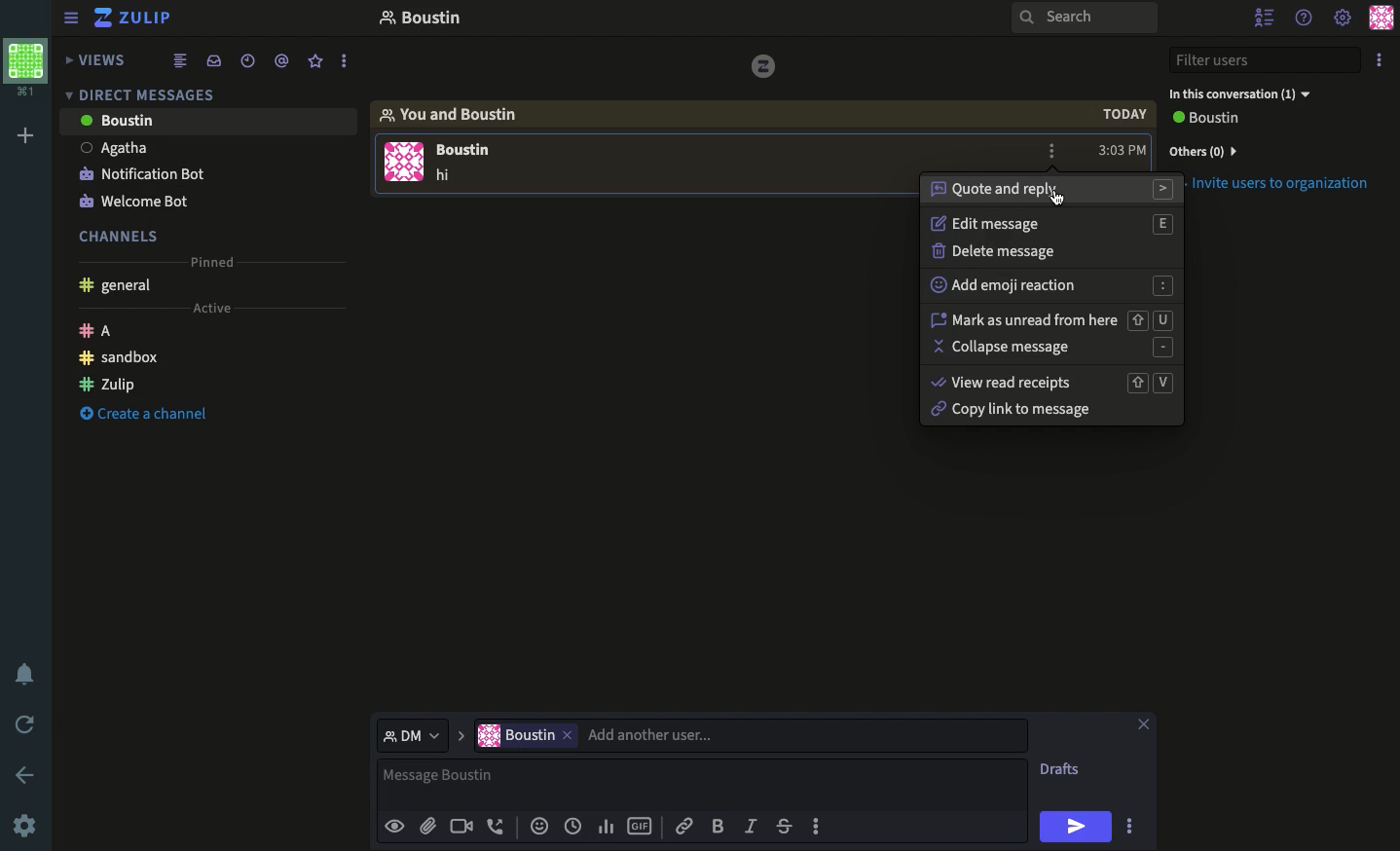  I want to click on General, so click(119, 285).